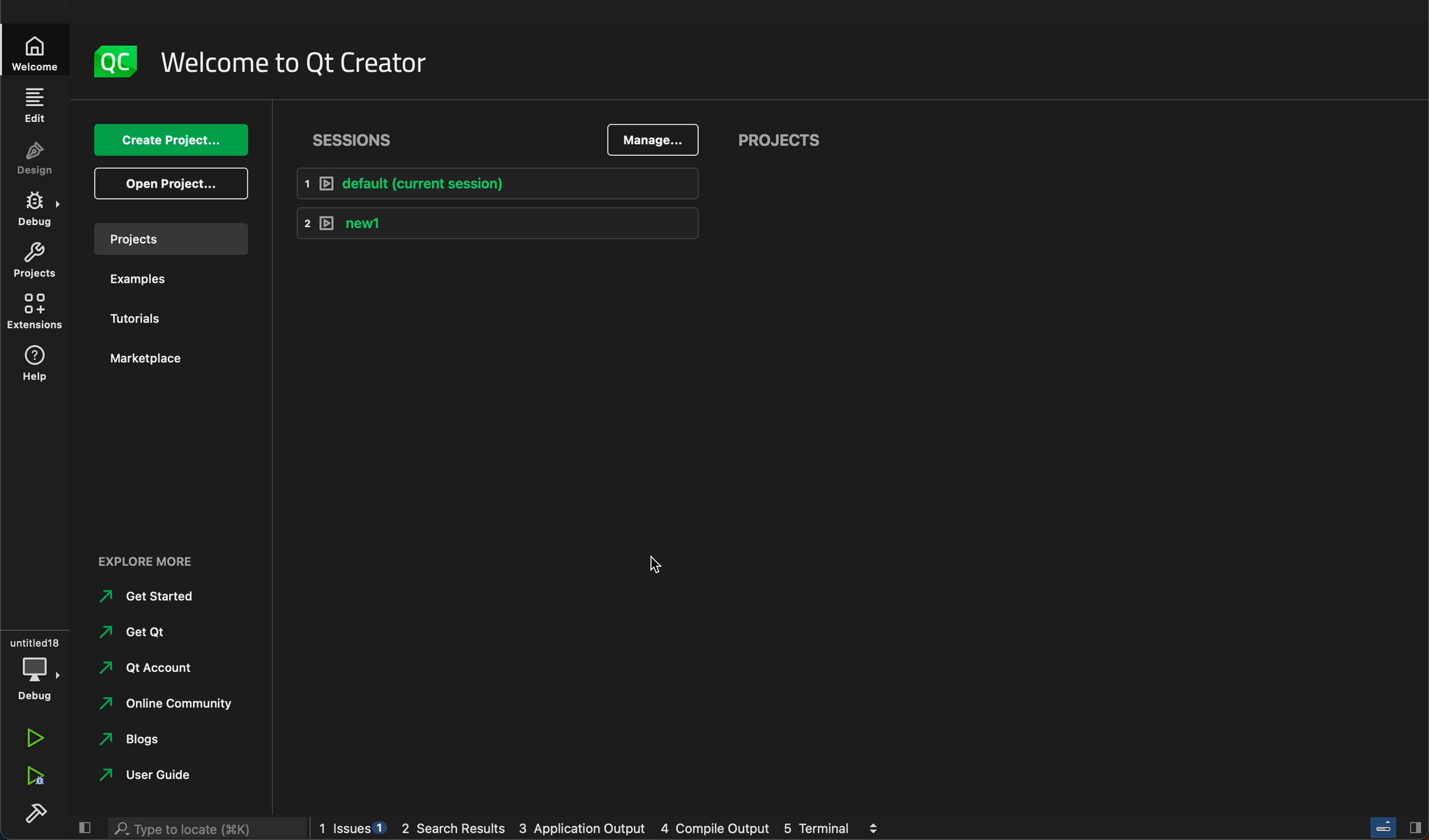 The width and height of the screenshot is (1429, 840). I want to click on cursor, so click(656, 565).